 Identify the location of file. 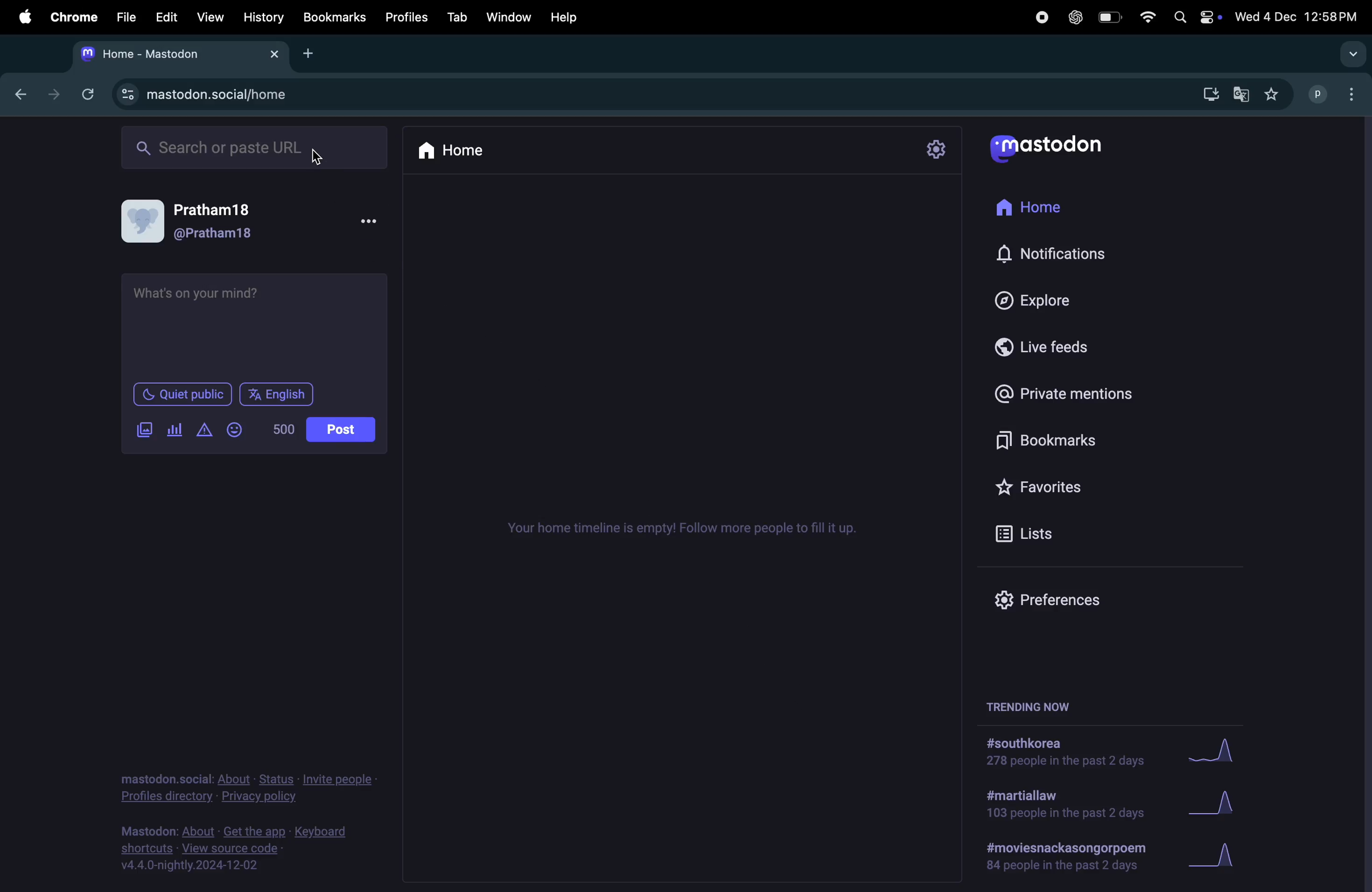
(125, 16).